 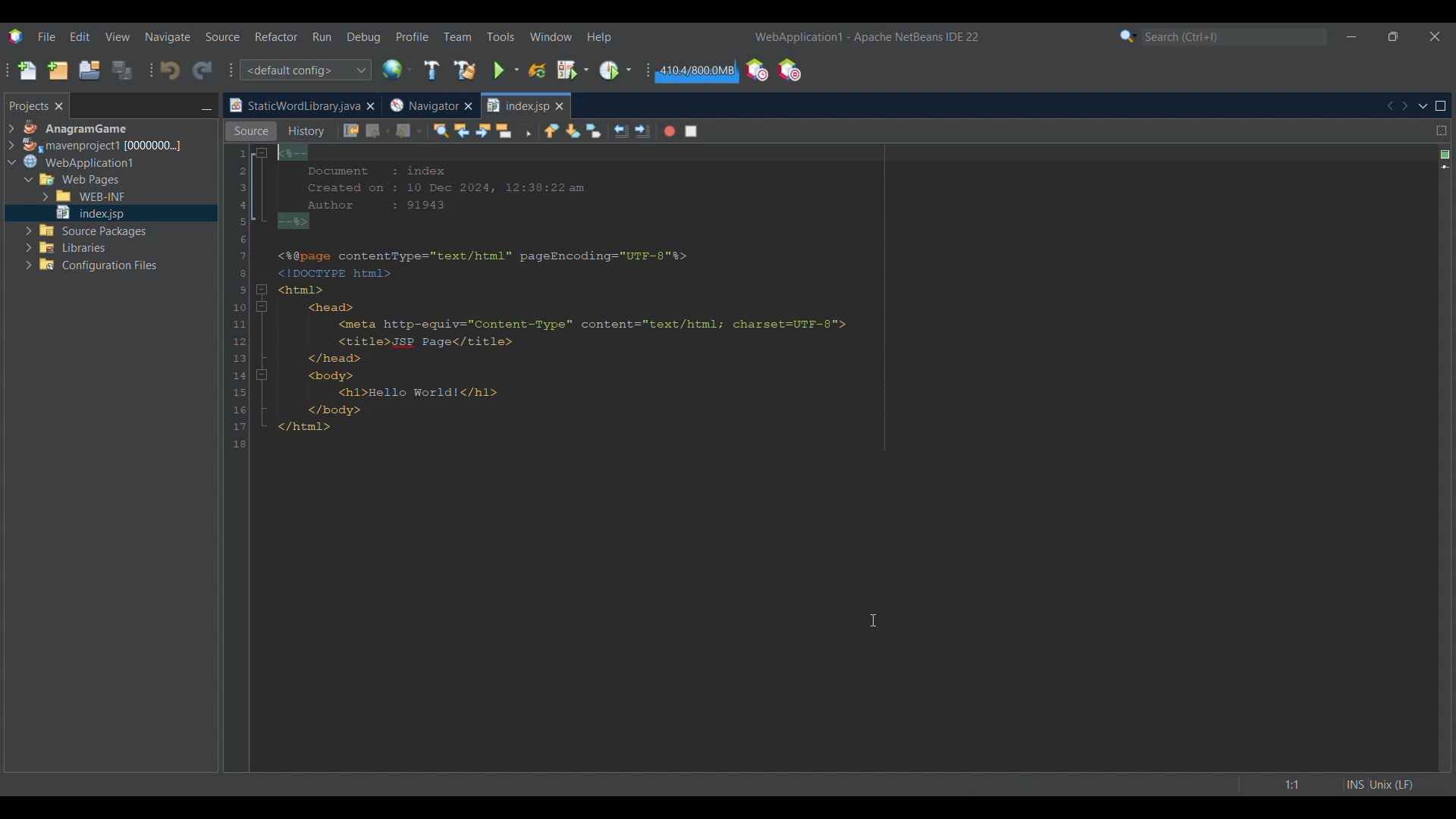 What do you see at coordinates (551, 130) in the screenshot?
I see `Previous bookmark` at bounding box center [551, 130].